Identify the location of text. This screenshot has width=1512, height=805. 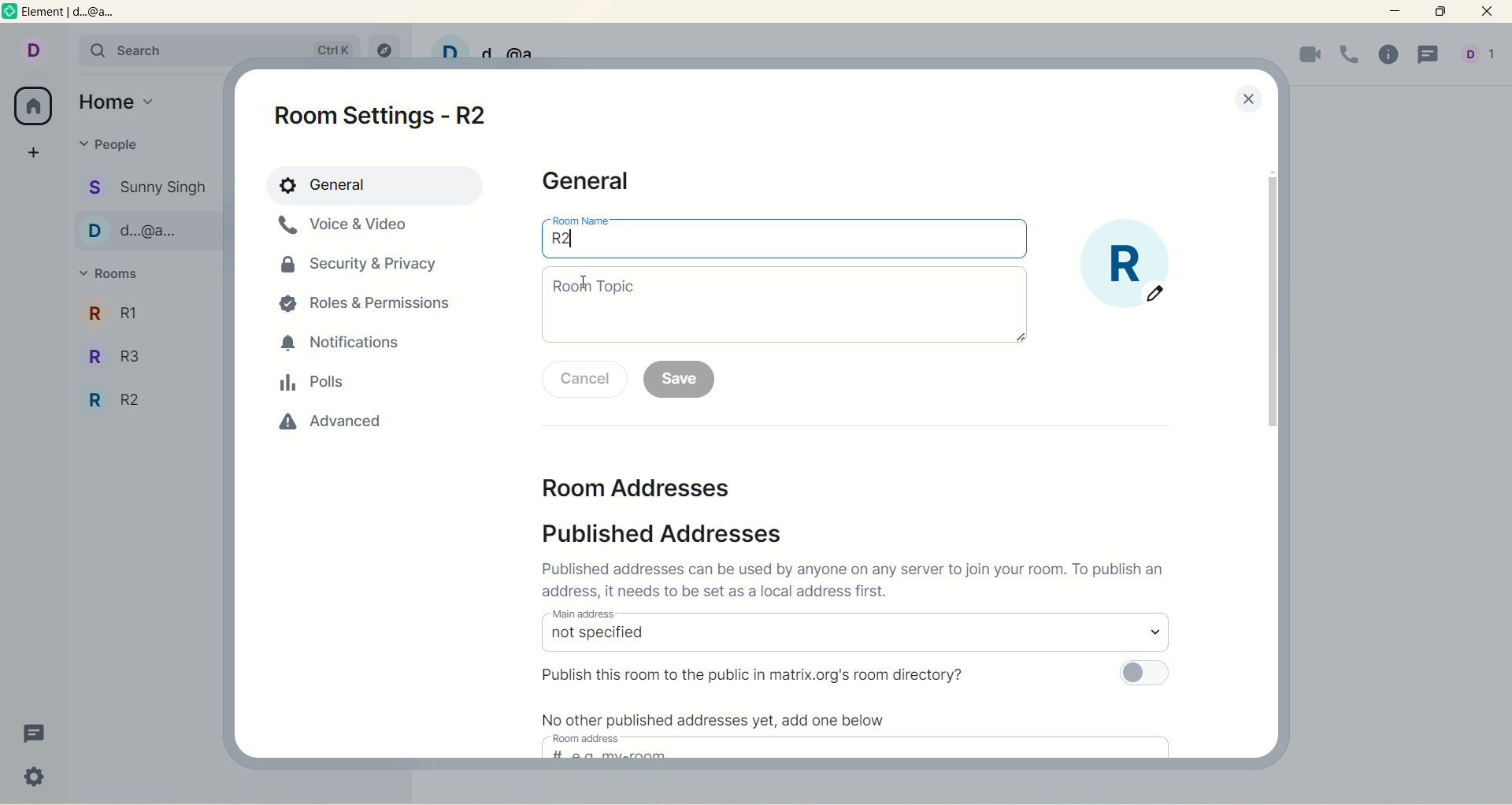
(859, 582).